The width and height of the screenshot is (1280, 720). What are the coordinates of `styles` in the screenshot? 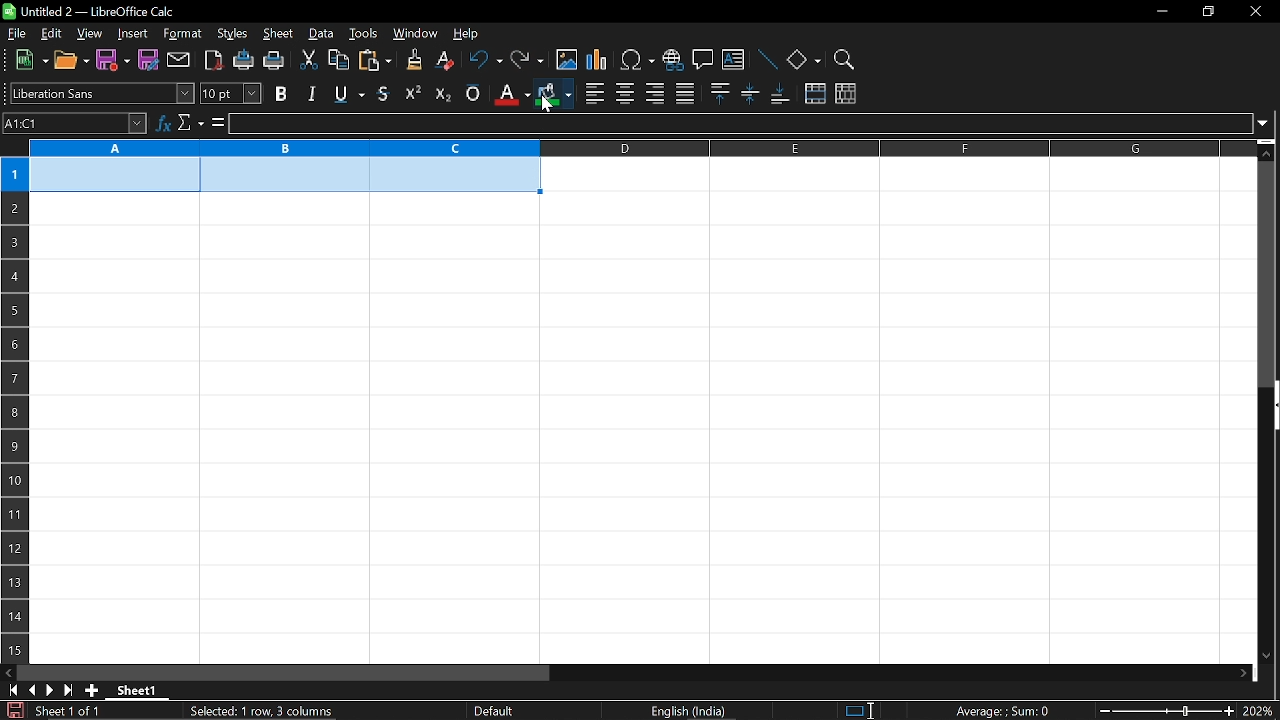 It's located at (232, 35).